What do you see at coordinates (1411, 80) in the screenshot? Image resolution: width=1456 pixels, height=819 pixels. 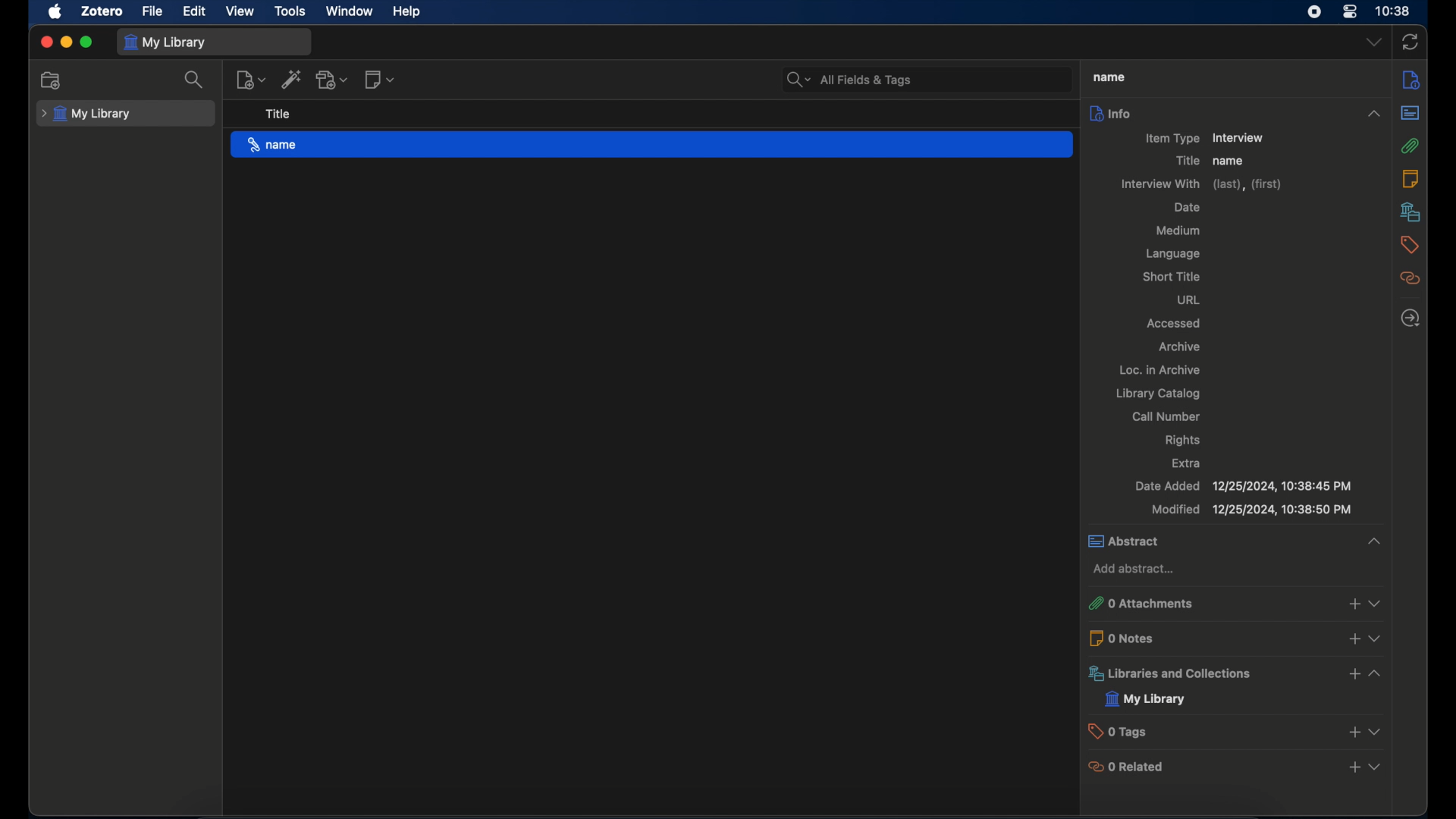 I see `info` at bounding box center [1411, 80].